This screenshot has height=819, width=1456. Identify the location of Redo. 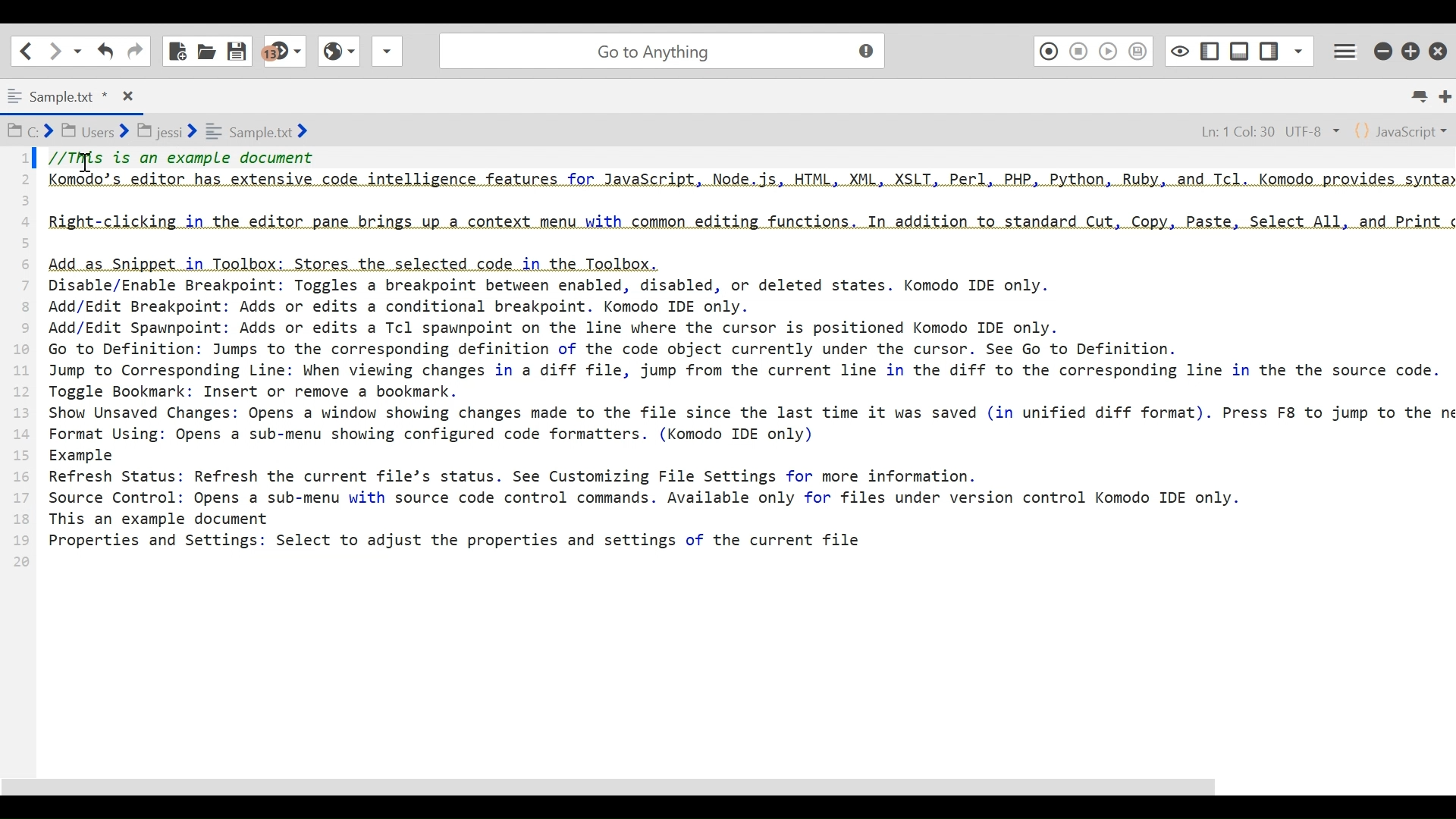
(135, 50).